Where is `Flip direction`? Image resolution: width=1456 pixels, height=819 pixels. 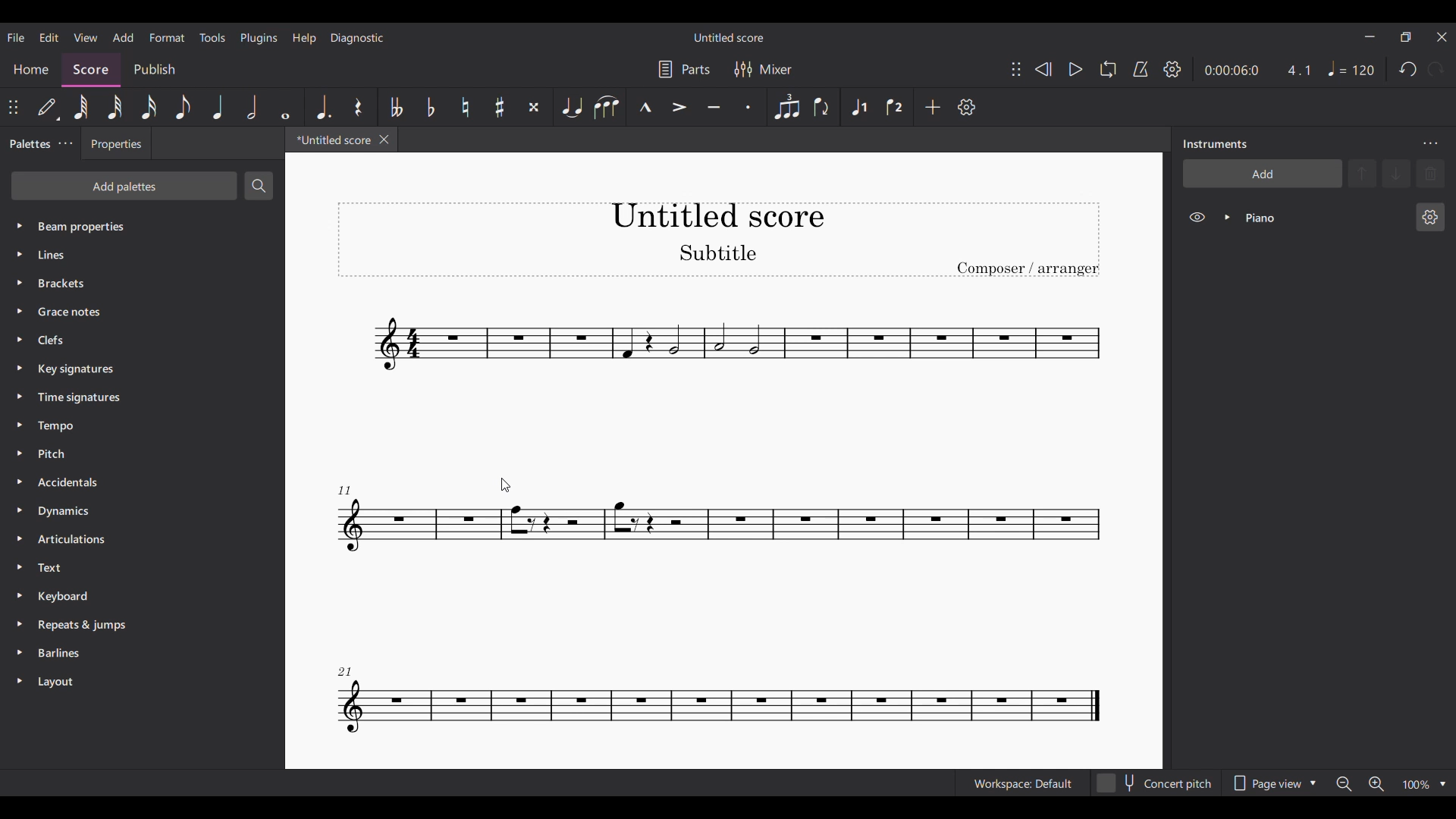 Flip direction is located at coordinates (822, 108).